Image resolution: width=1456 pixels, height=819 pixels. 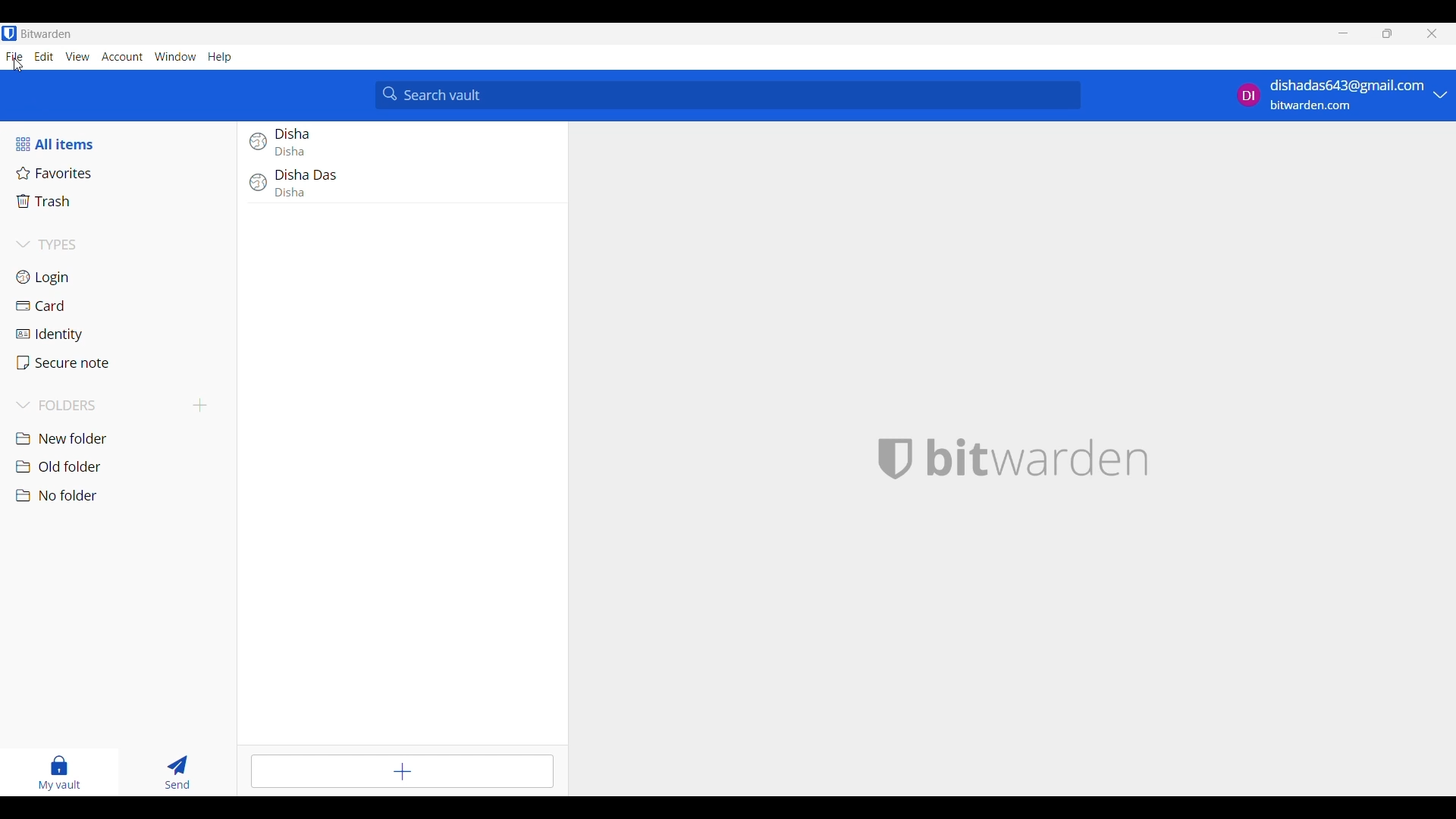 I want to click on Minimize, so click(x=1344, y=33).